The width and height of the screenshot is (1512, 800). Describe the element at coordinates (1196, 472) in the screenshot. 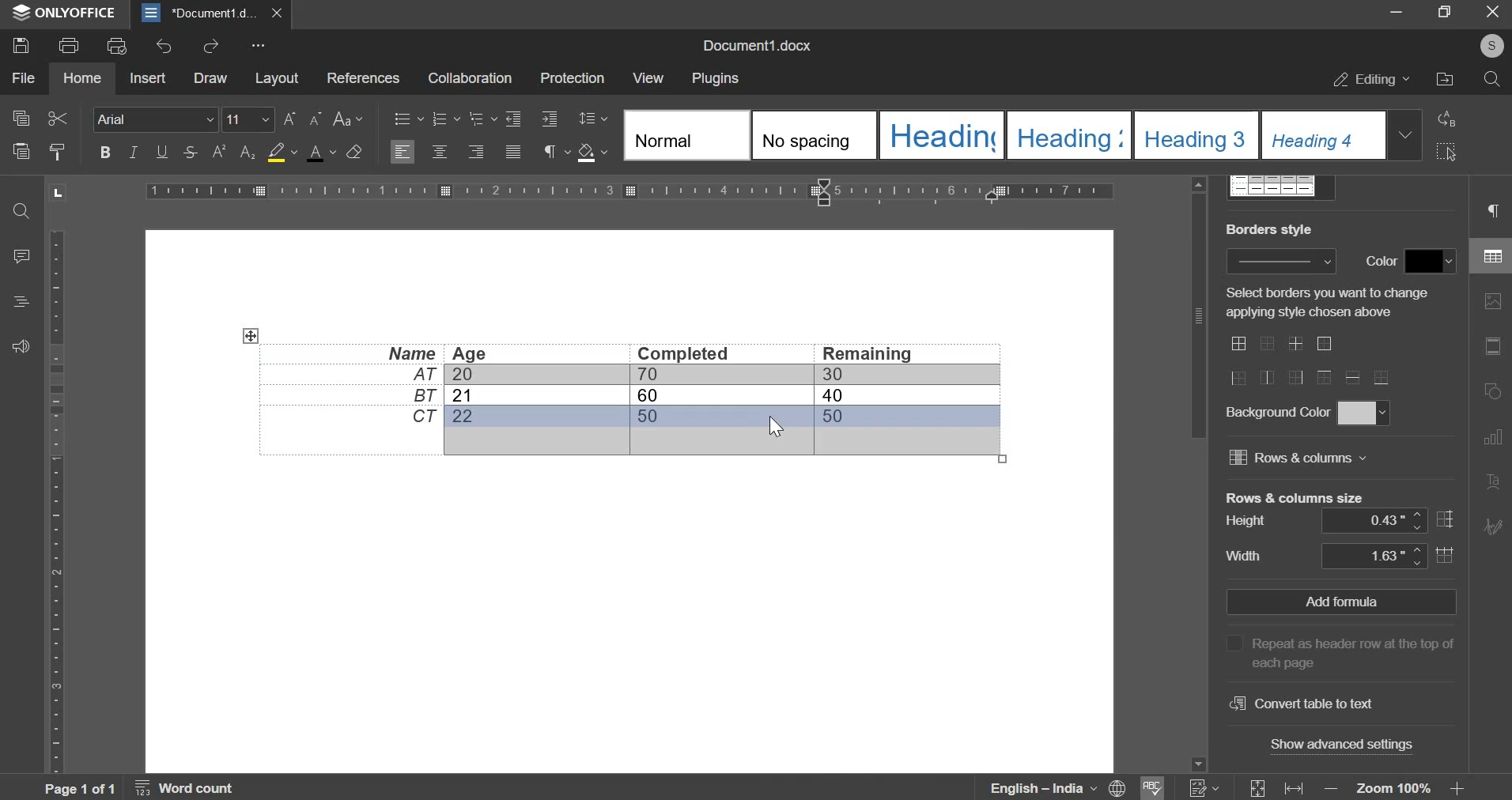

I see `vertical slider` at that location.